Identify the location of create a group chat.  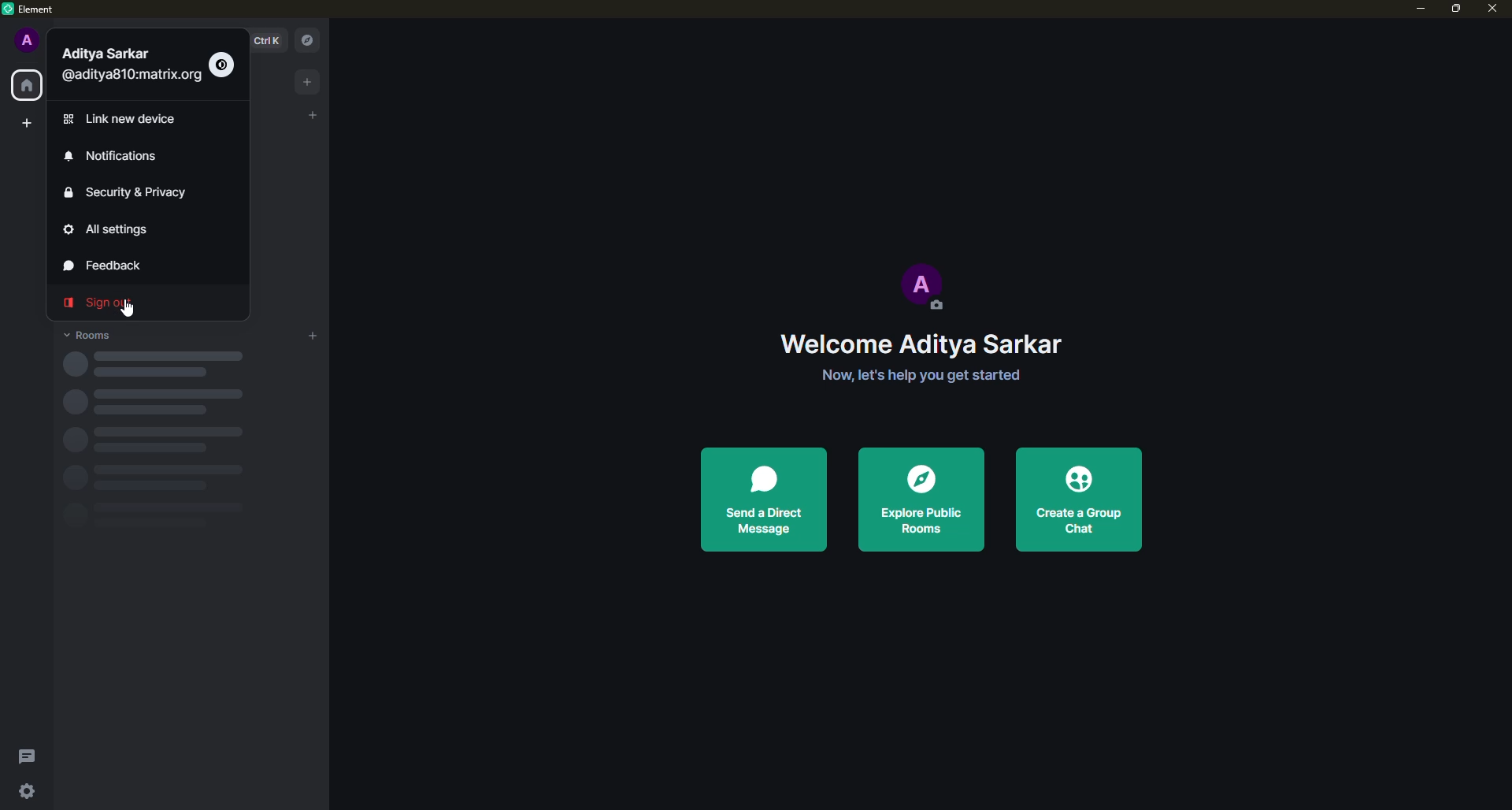
(1080, 501).